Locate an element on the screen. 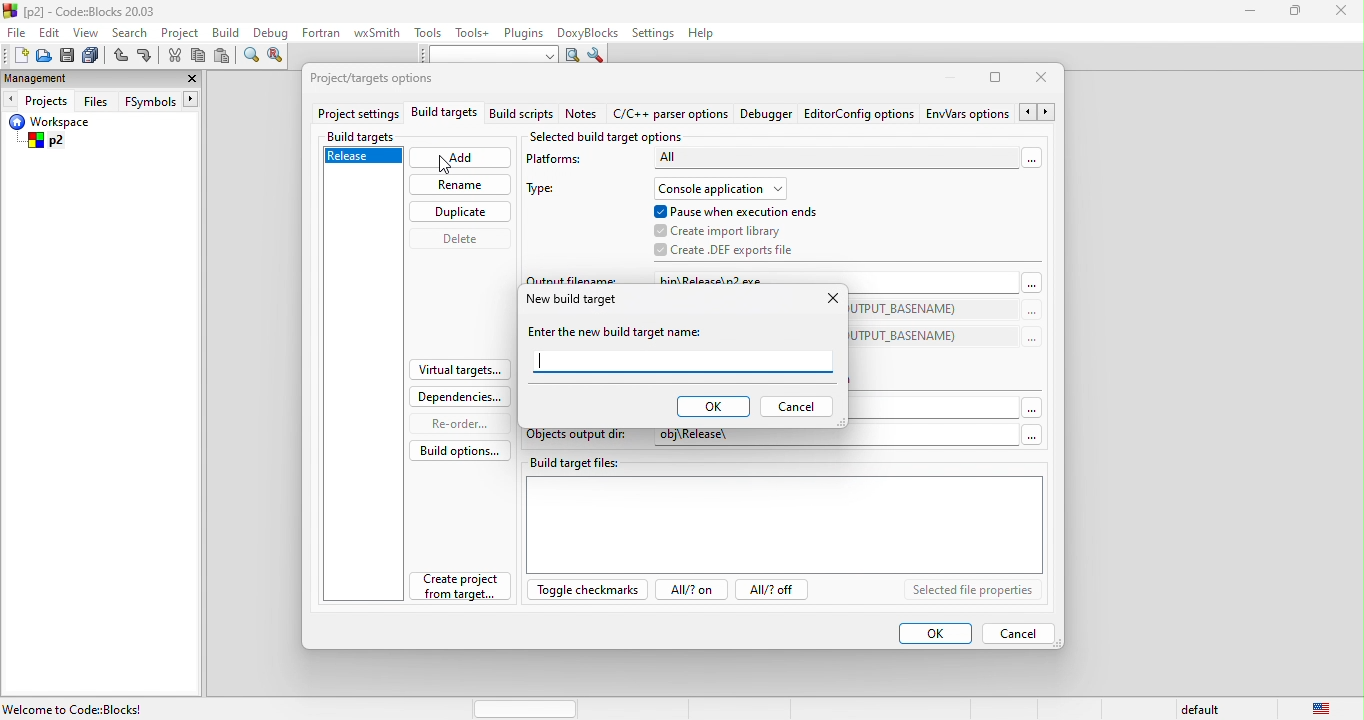 This screenshot has width=1364, height=720. cancel is located at coordinates (1019, 634).